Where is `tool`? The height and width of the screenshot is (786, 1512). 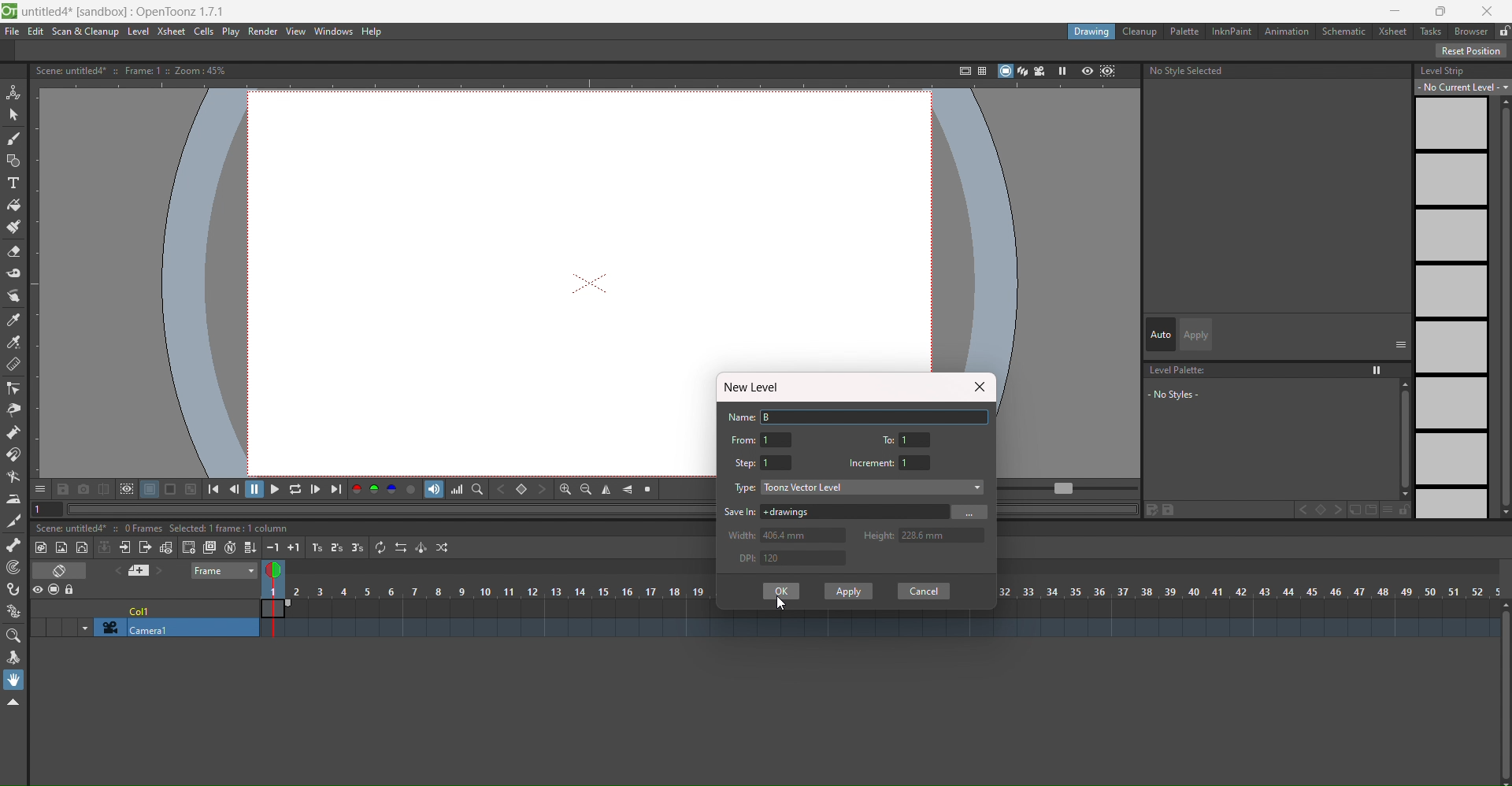
tool is located at coordinates (126, 489).